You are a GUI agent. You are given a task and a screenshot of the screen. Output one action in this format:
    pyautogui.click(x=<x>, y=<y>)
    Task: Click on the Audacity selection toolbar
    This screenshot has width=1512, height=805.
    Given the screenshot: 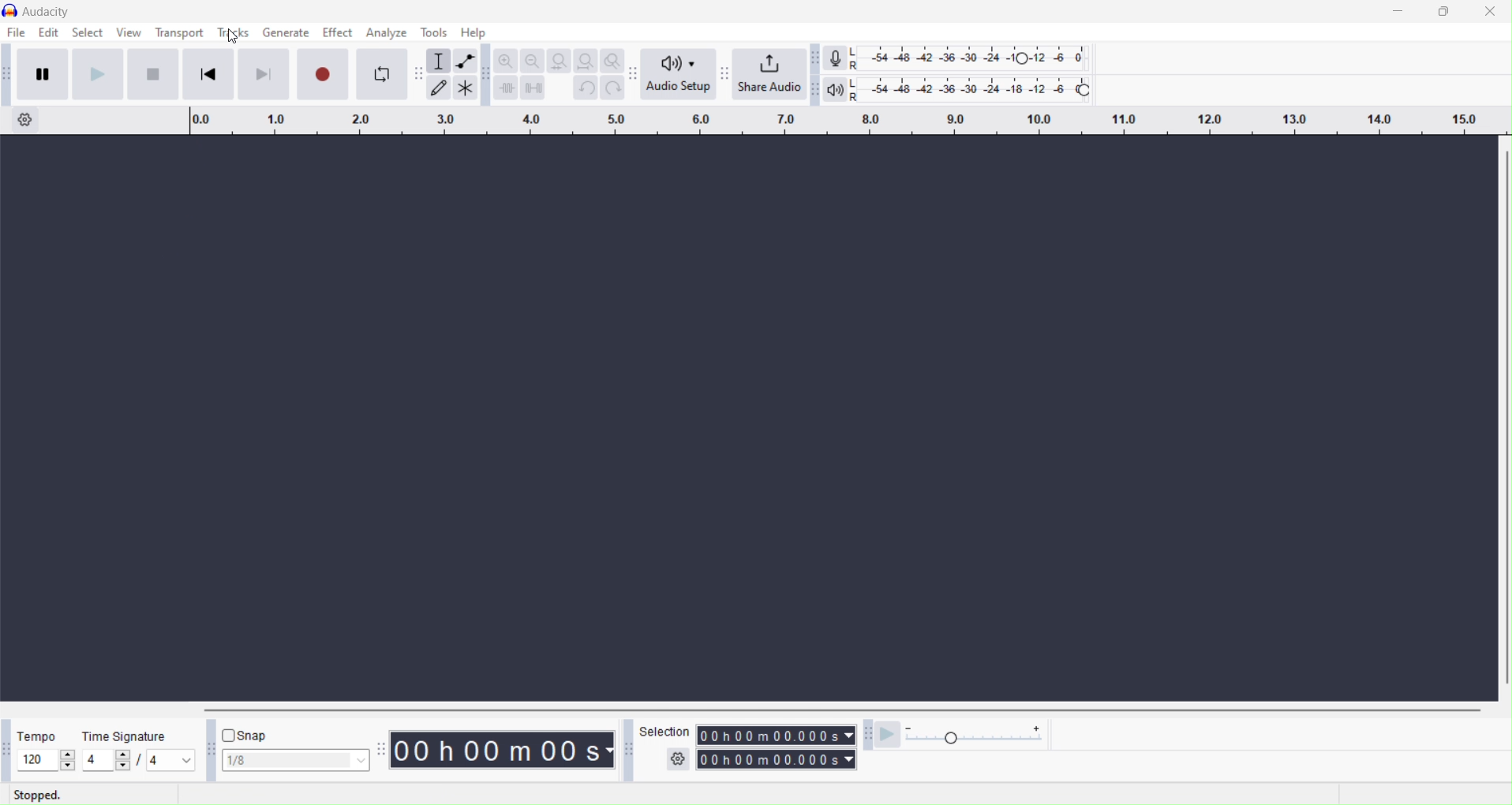 What is the action you would take?
    pyautogui.click(x=627, y=749)
    